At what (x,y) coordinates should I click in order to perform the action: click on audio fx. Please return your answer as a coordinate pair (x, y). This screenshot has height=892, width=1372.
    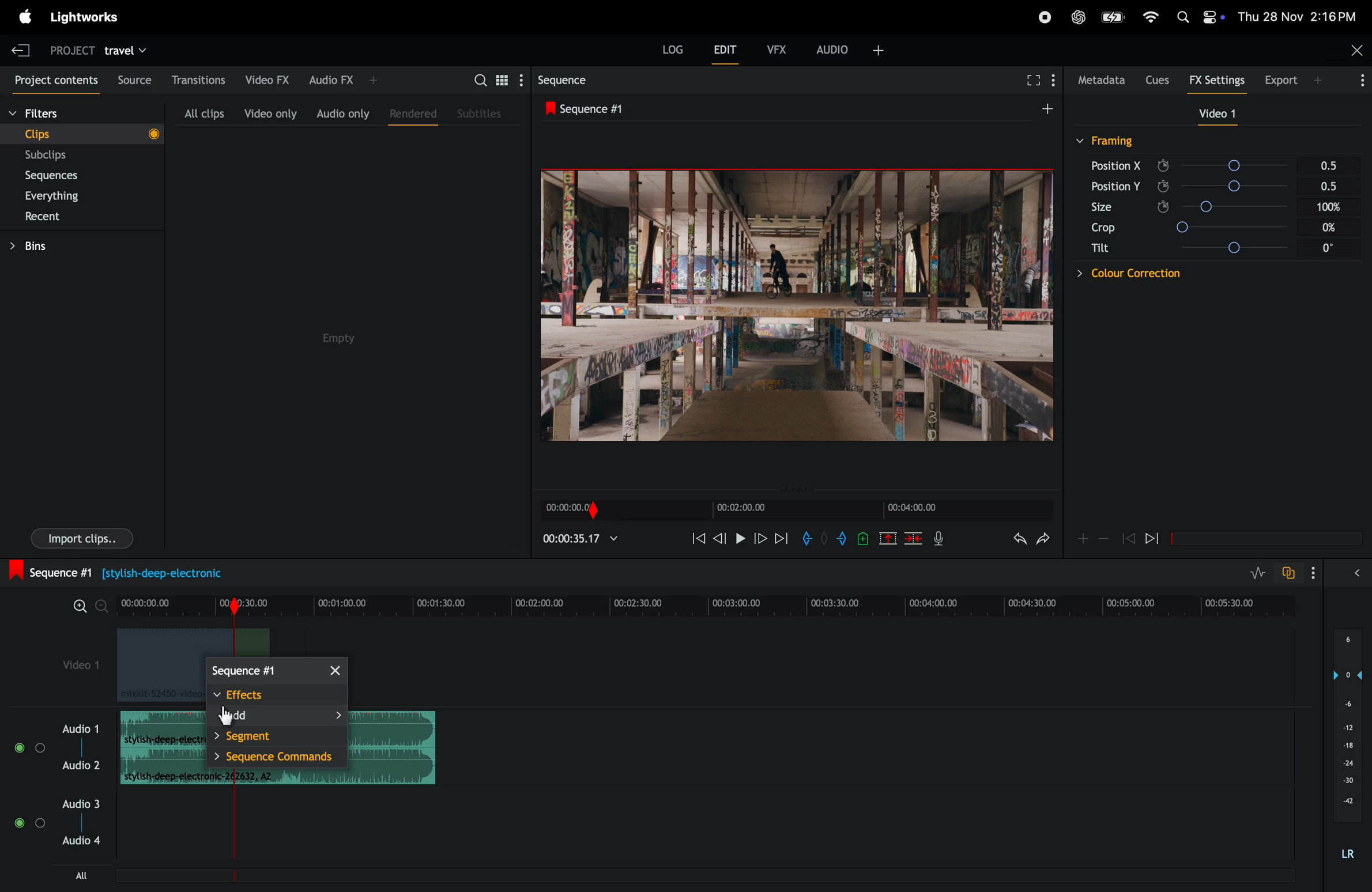
    Looking at the image, I should click on (342, 78).